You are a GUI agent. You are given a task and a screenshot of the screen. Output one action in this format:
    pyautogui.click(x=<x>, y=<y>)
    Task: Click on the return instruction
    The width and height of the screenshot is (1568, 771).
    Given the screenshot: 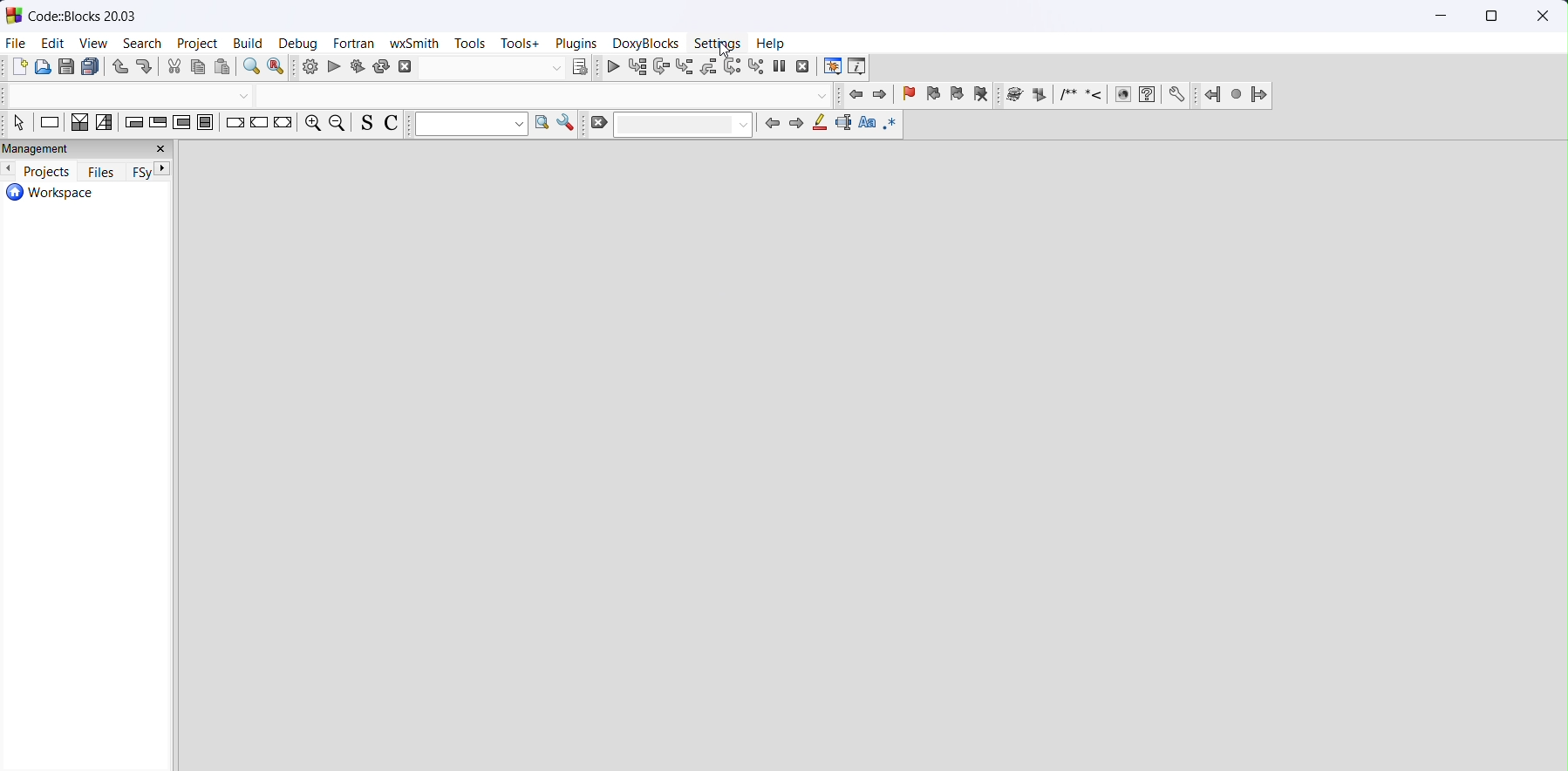 What is the action you would take?
    pyautogui.click(x=283, y=124)
    